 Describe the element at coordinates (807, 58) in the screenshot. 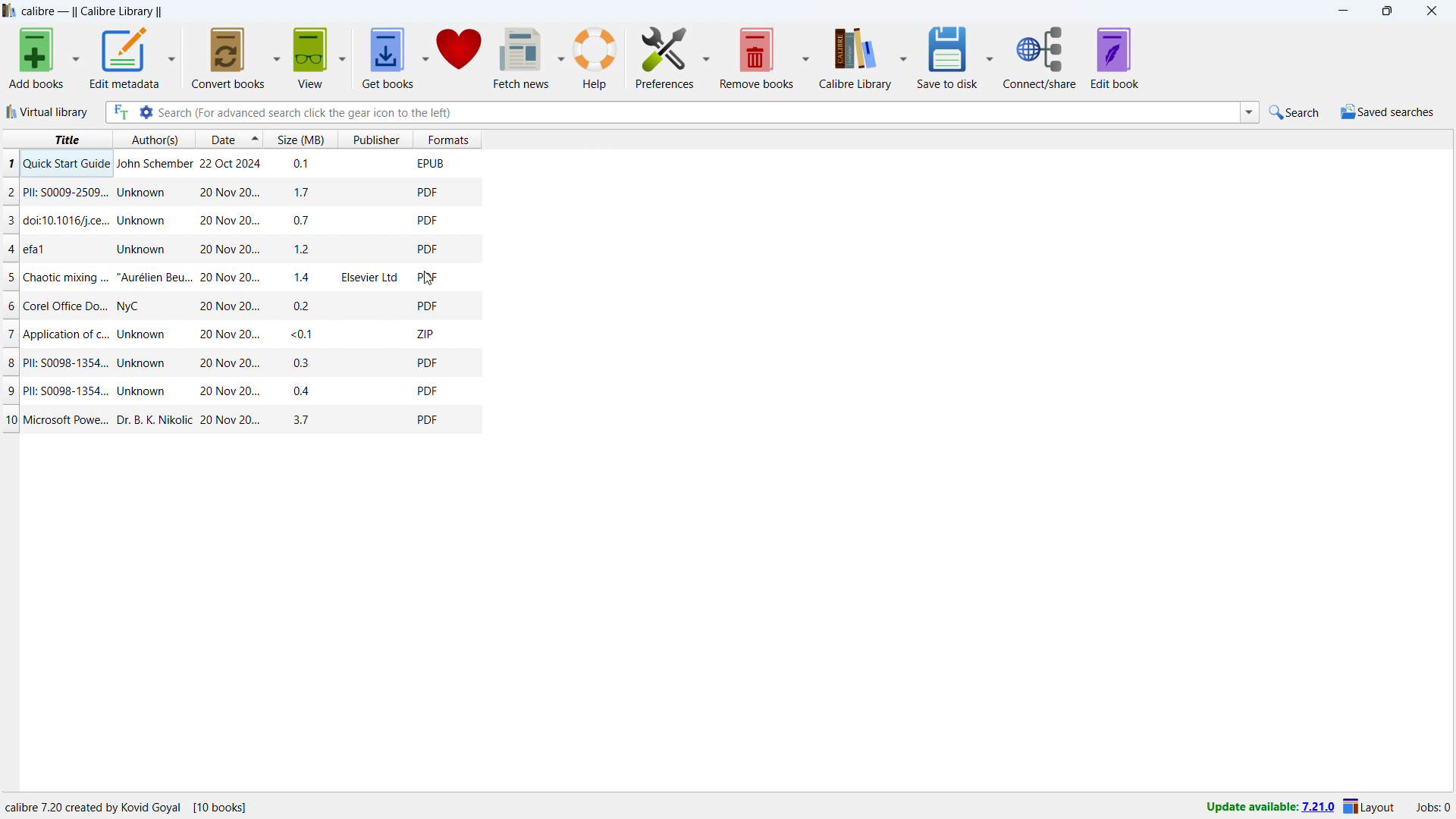

I see `remove books options` at that location.